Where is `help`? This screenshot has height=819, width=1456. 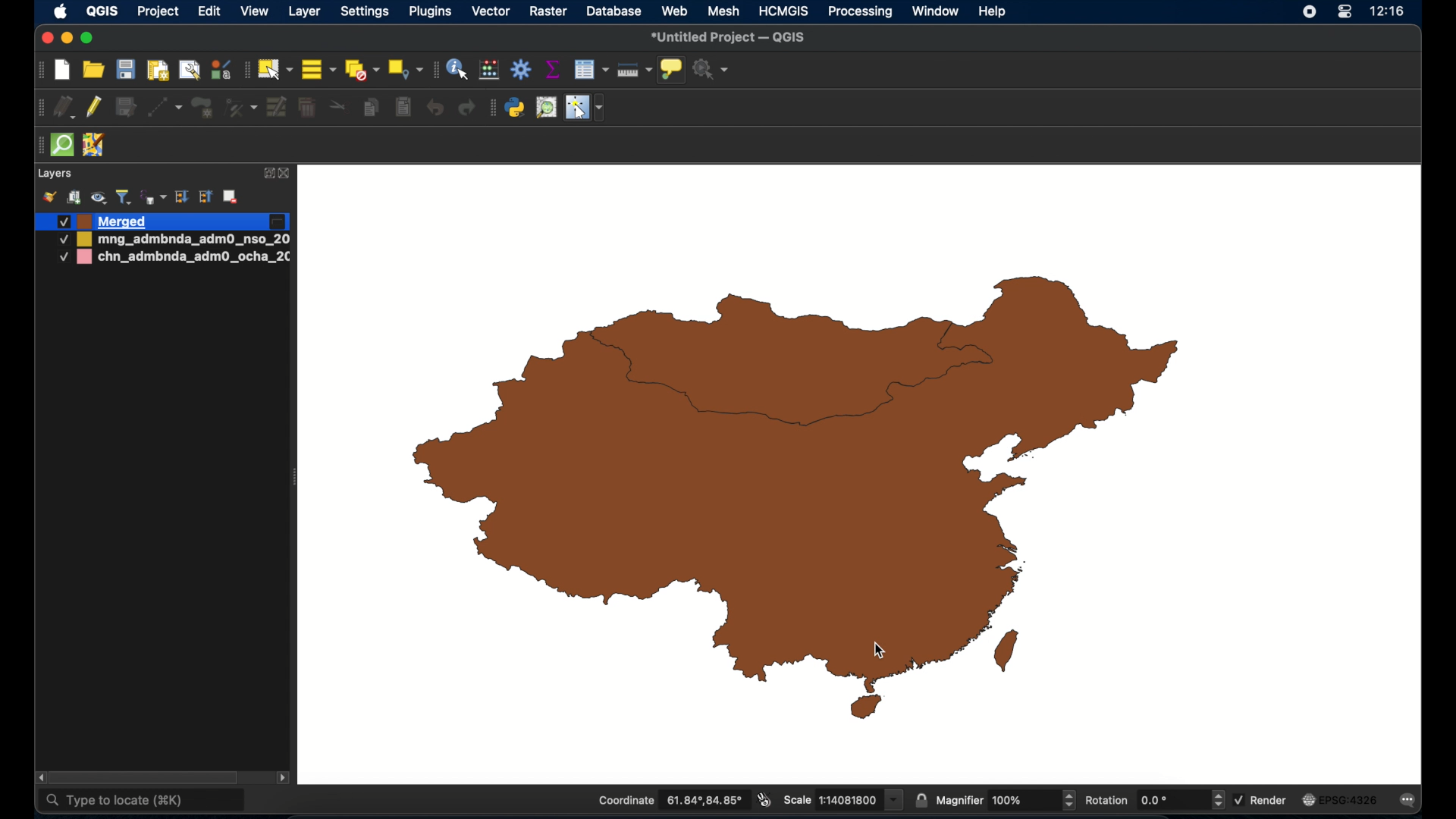 help is located at coordinates (993, 11).